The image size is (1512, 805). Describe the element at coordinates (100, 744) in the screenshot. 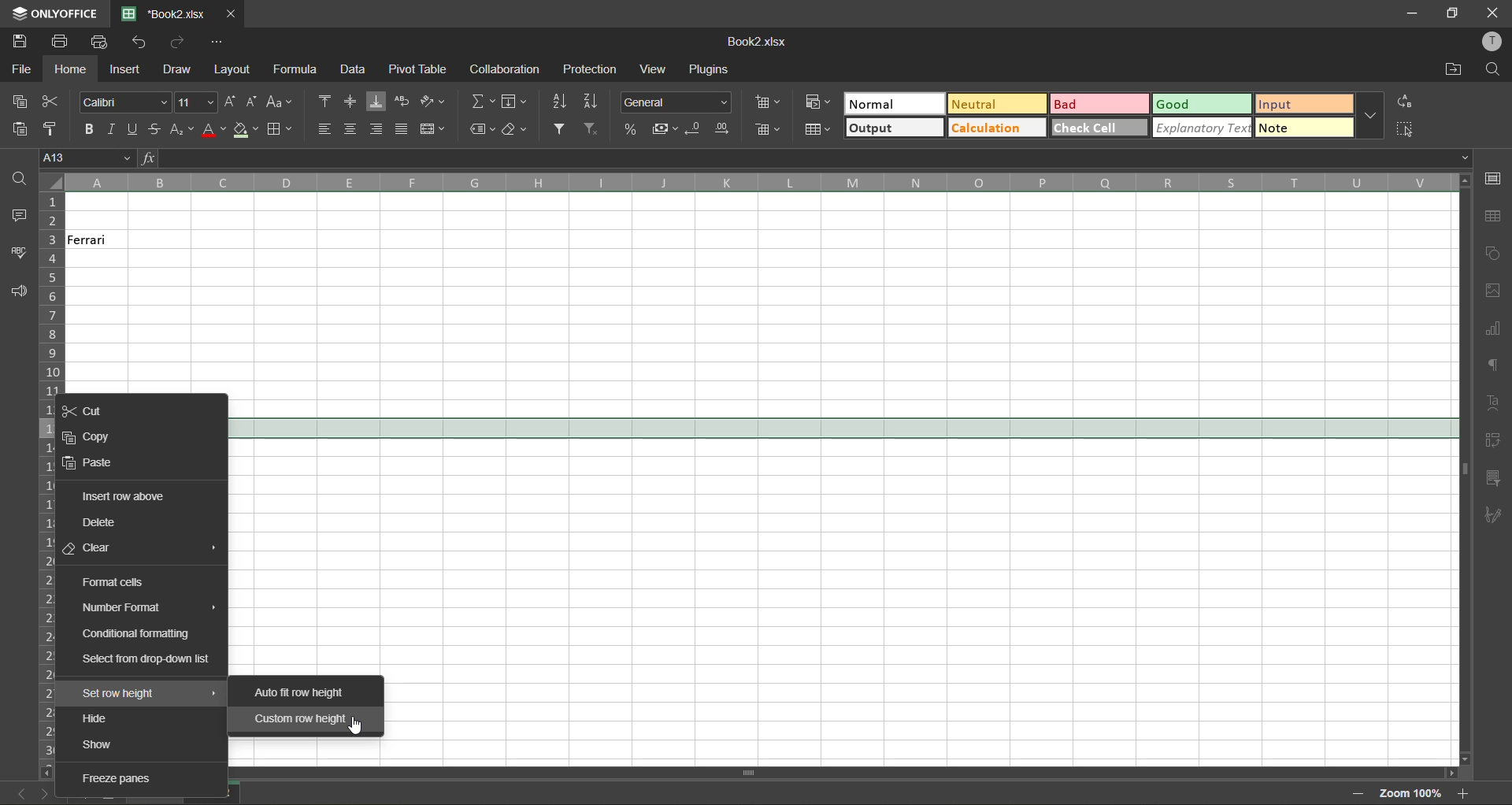

I see `show` at that location.